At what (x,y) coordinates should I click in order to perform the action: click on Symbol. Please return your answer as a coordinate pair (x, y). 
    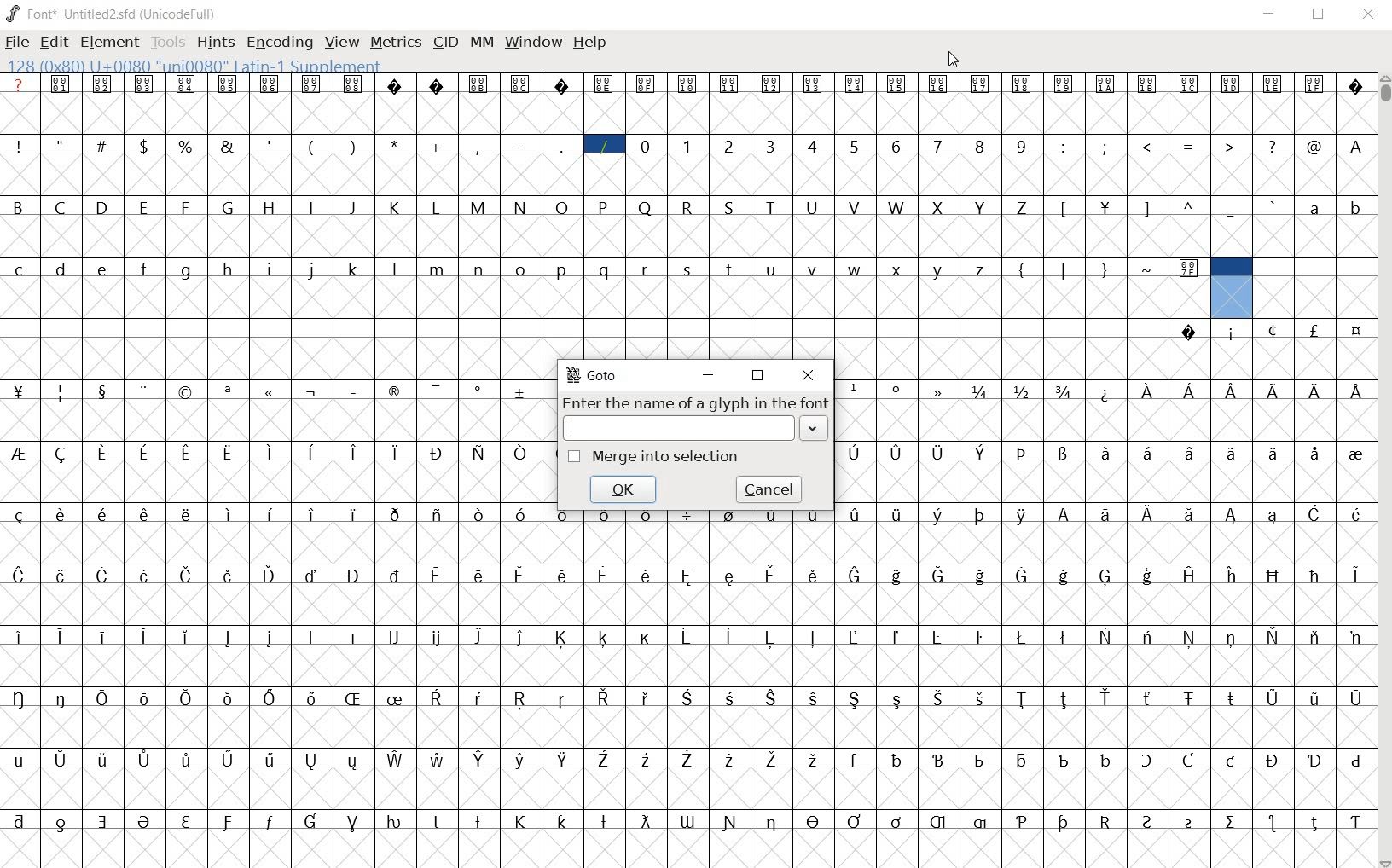
    Looking at the image, I should click on (1064, 512).